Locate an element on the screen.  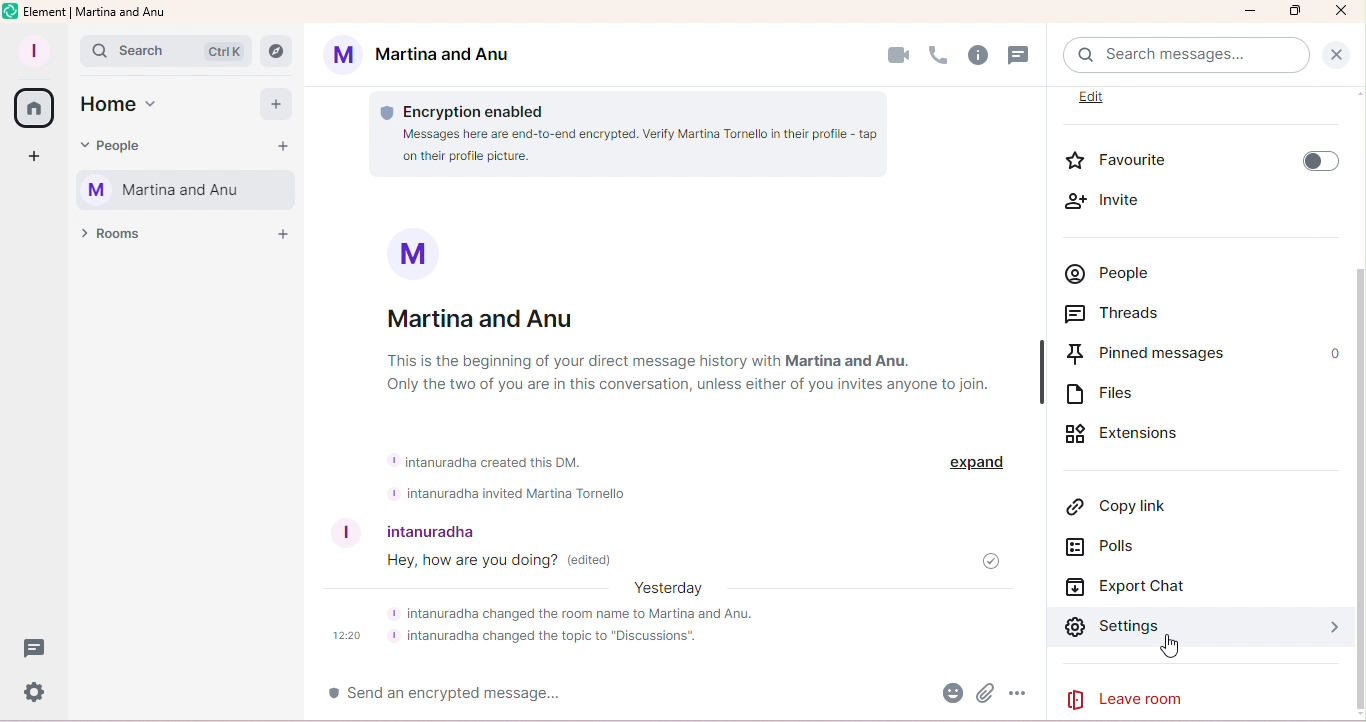
Add is located at coordinates (271, 103).